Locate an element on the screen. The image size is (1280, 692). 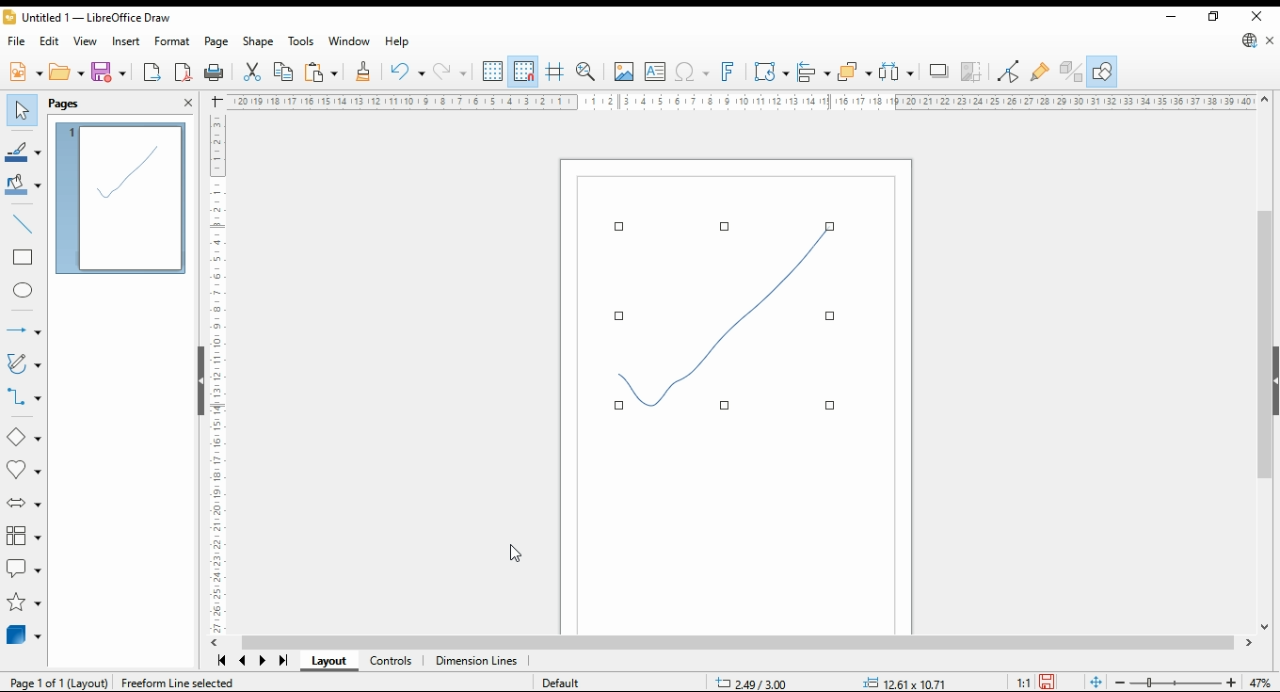
 clone formatting is located at coordinates (365, 71).